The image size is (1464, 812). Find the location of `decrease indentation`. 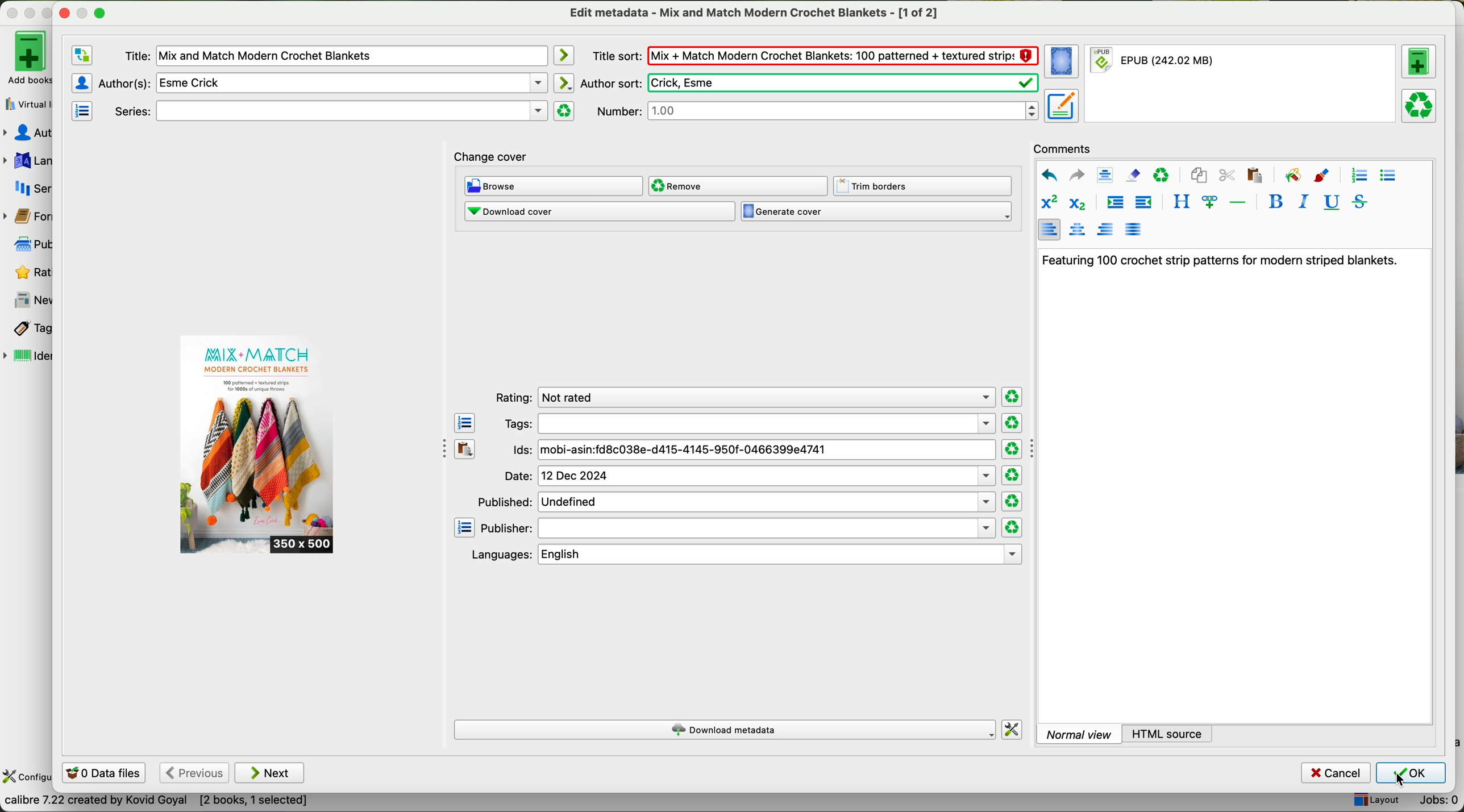

decrease indentation is located at coordinates (1142, 203).